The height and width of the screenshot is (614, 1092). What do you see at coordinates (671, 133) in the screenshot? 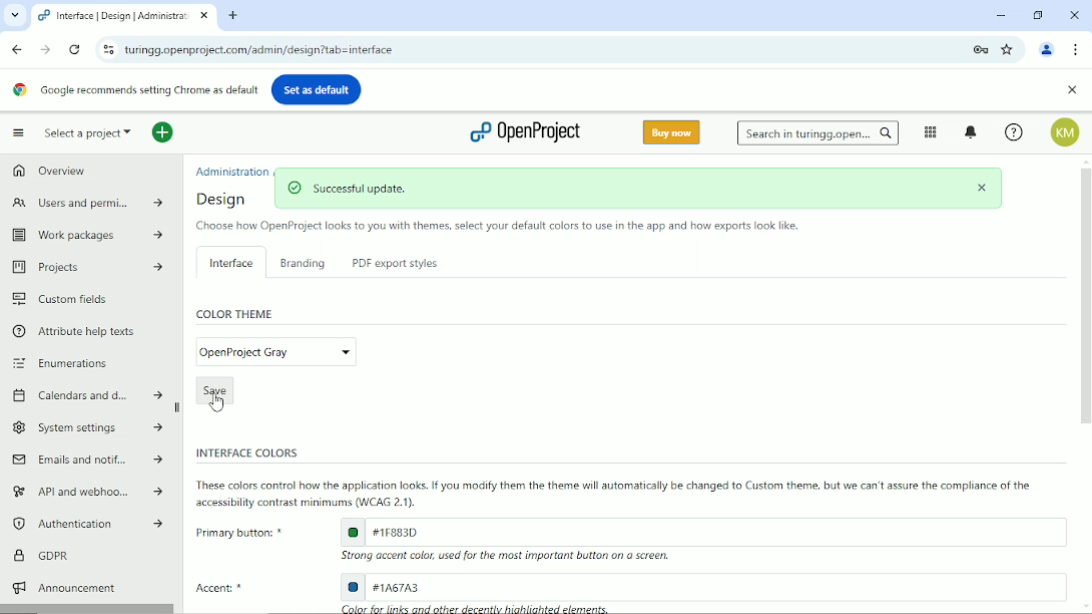
I see `Buy now` at bounding box center [671, 133].